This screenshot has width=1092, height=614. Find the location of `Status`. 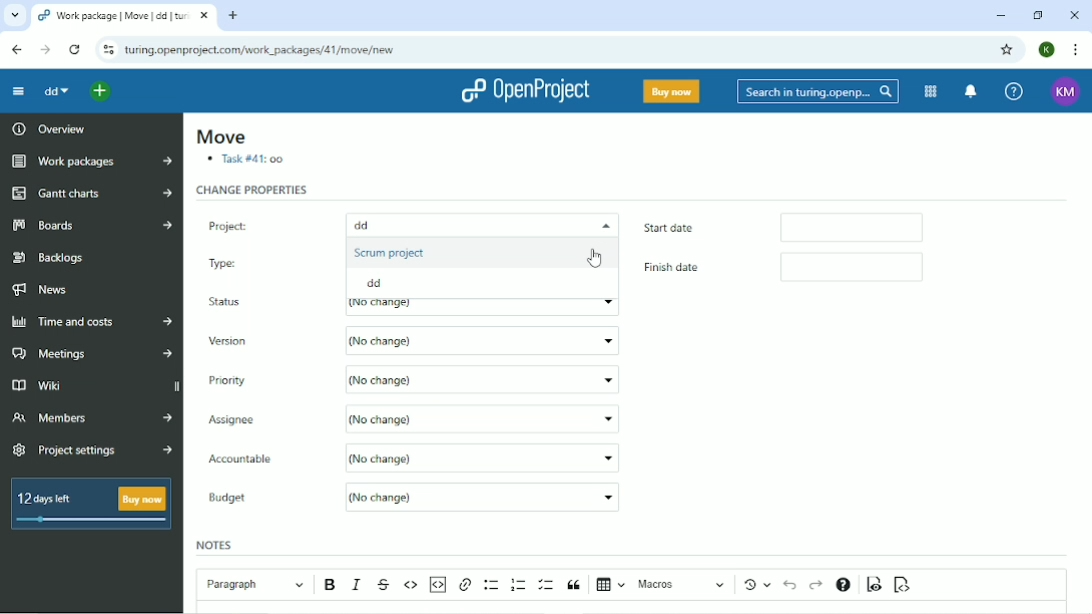

Status is located at coordinates (230, 303).